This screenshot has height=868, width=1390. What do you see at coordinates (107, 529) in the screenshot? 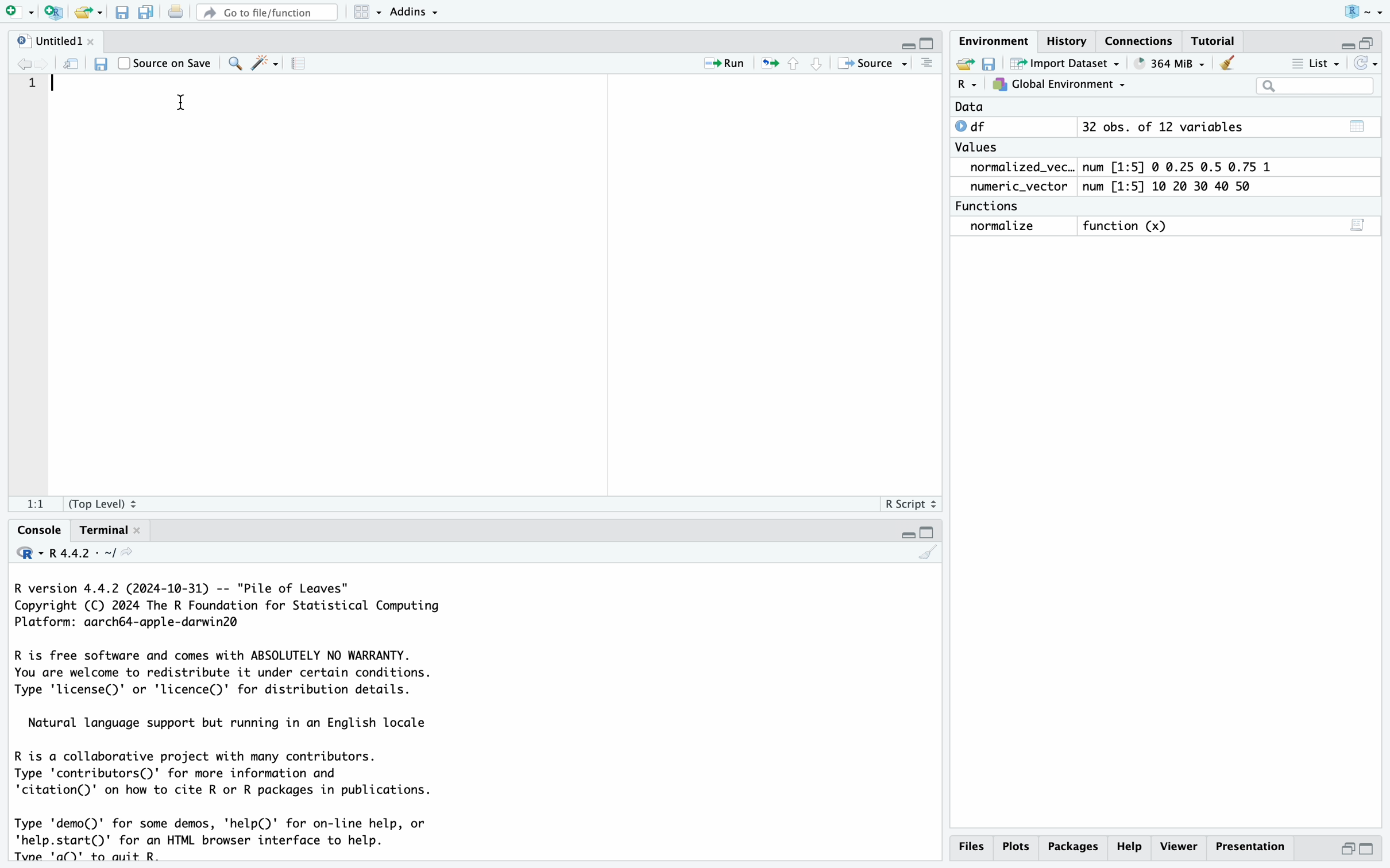
I see `Terminal` at bounding box center [107, 529].